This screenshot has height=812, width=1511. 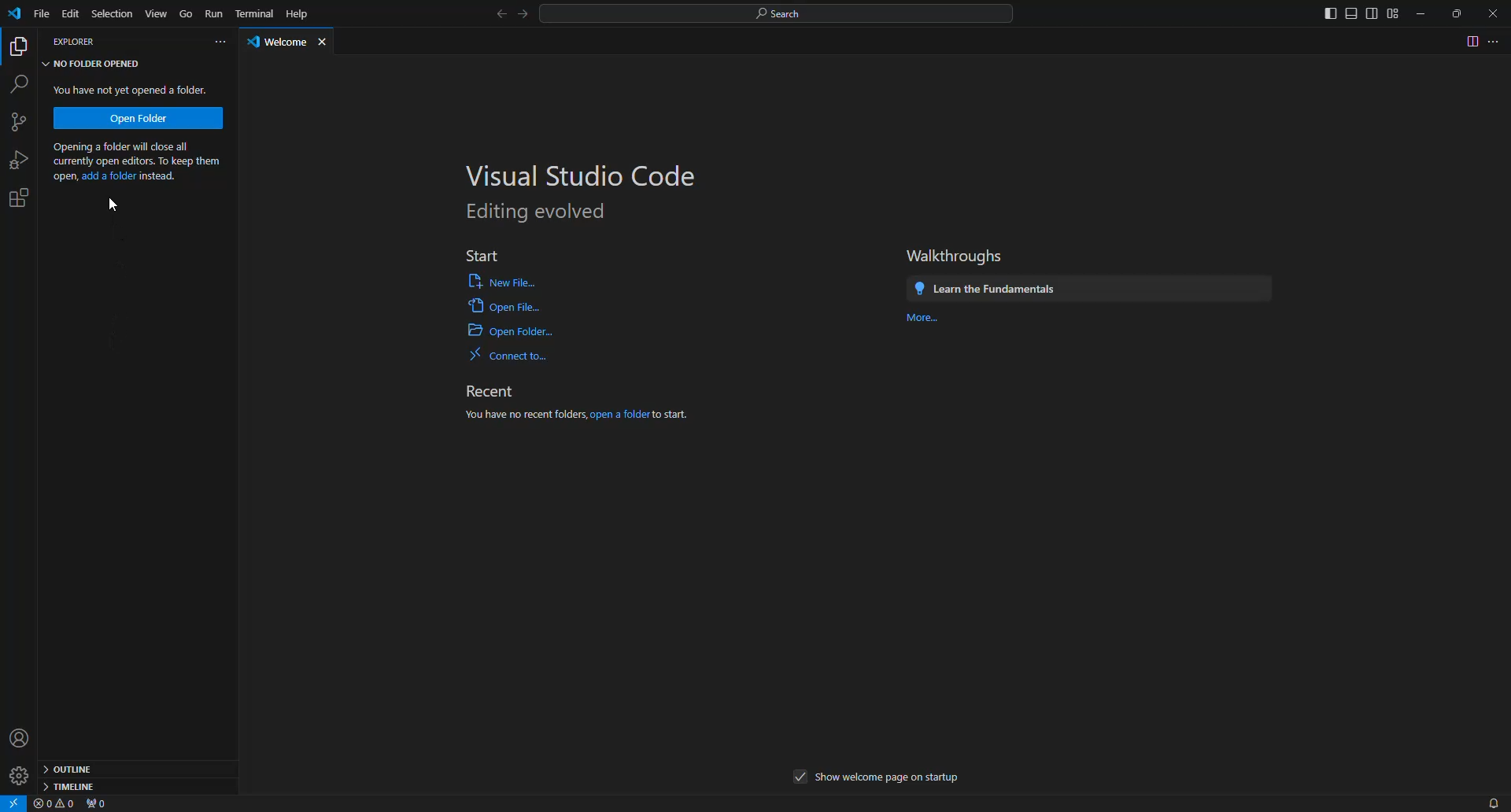 What do you see at coordinates (503, 16) in the screenshot?
I see `go back` at bounding box center [503, 16].